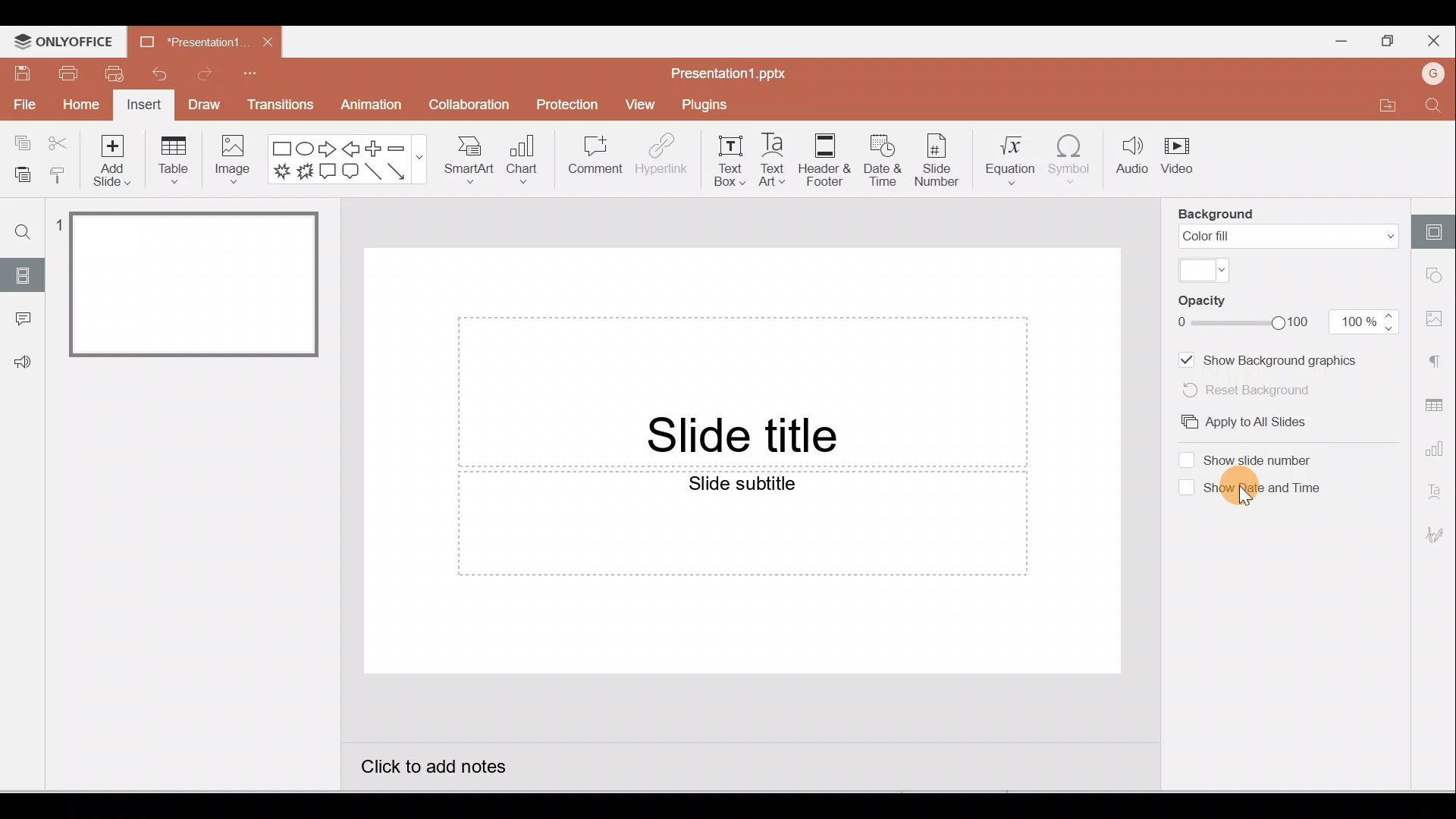  I want to click on Master slide 2, so click(213, 428).